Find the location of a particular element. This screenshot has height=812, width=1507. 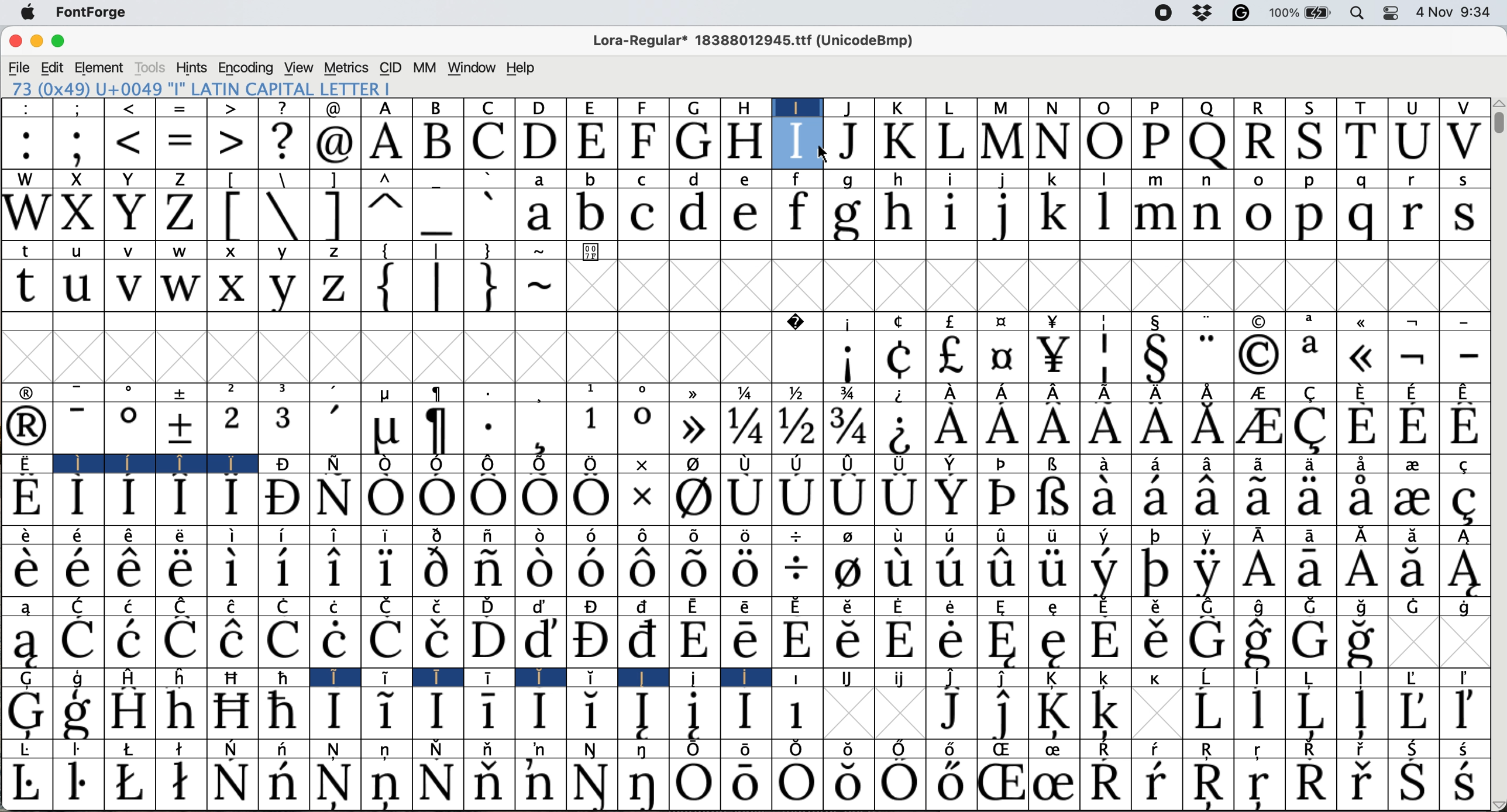

Symbol is located at coordinates (182, 536).